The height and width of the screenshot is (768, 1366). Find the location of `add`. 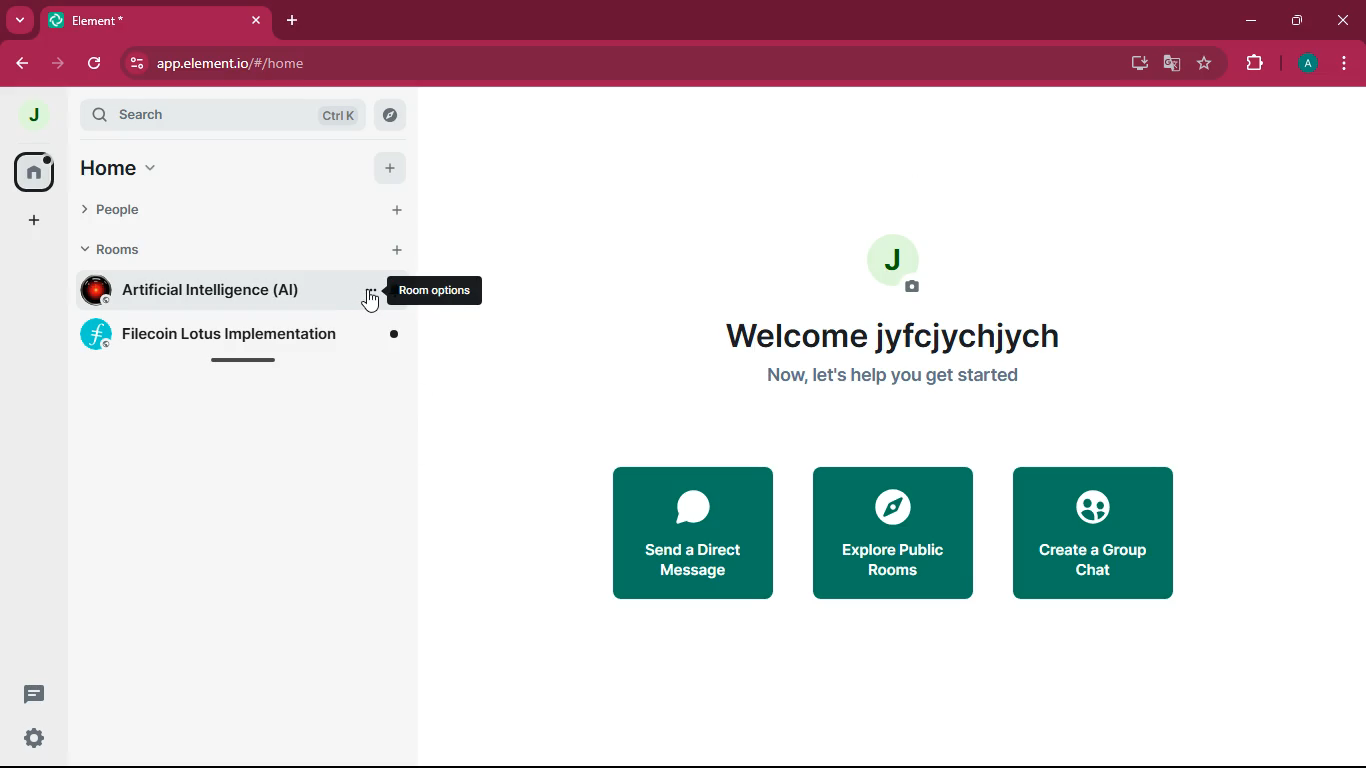

add is located at coordinates (34, 224).